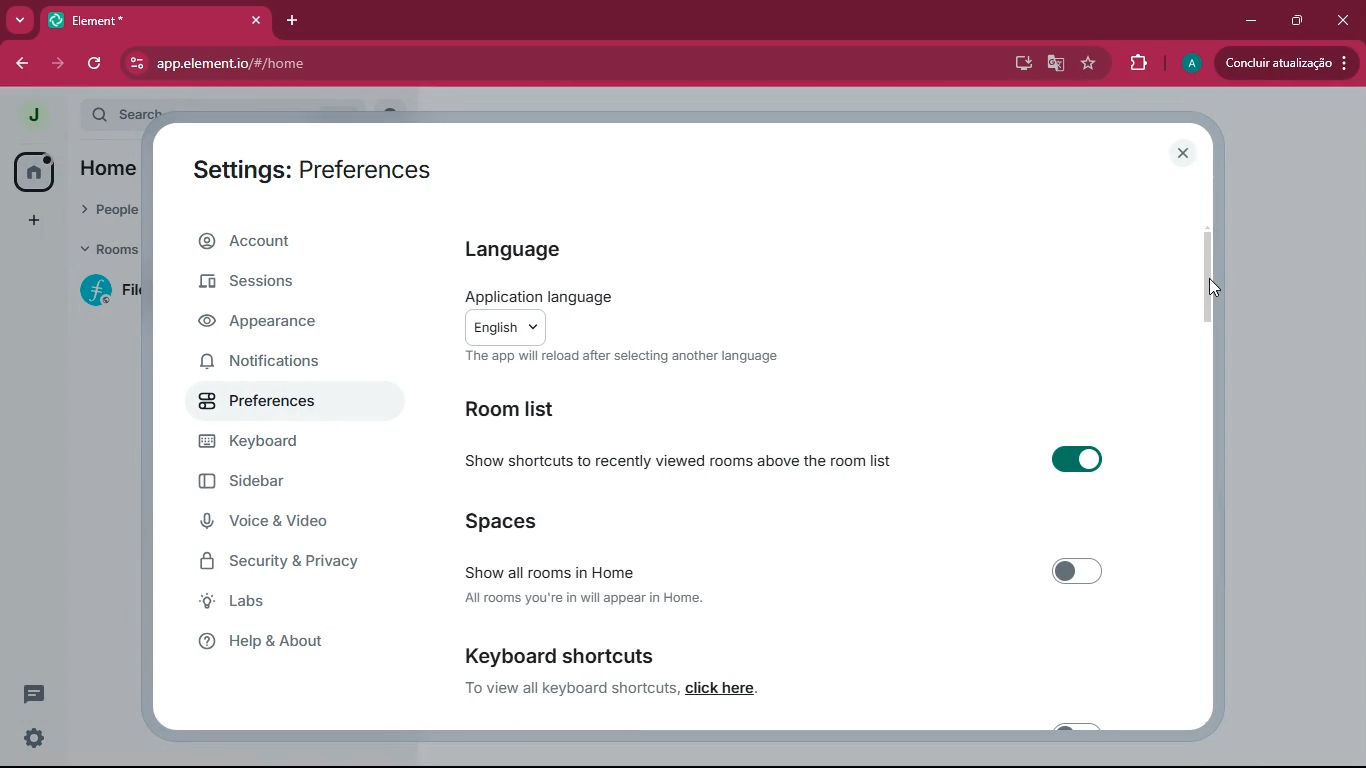 The height and width of the screenshot is (768, 1366). I want to click on add, so click(32, 221).